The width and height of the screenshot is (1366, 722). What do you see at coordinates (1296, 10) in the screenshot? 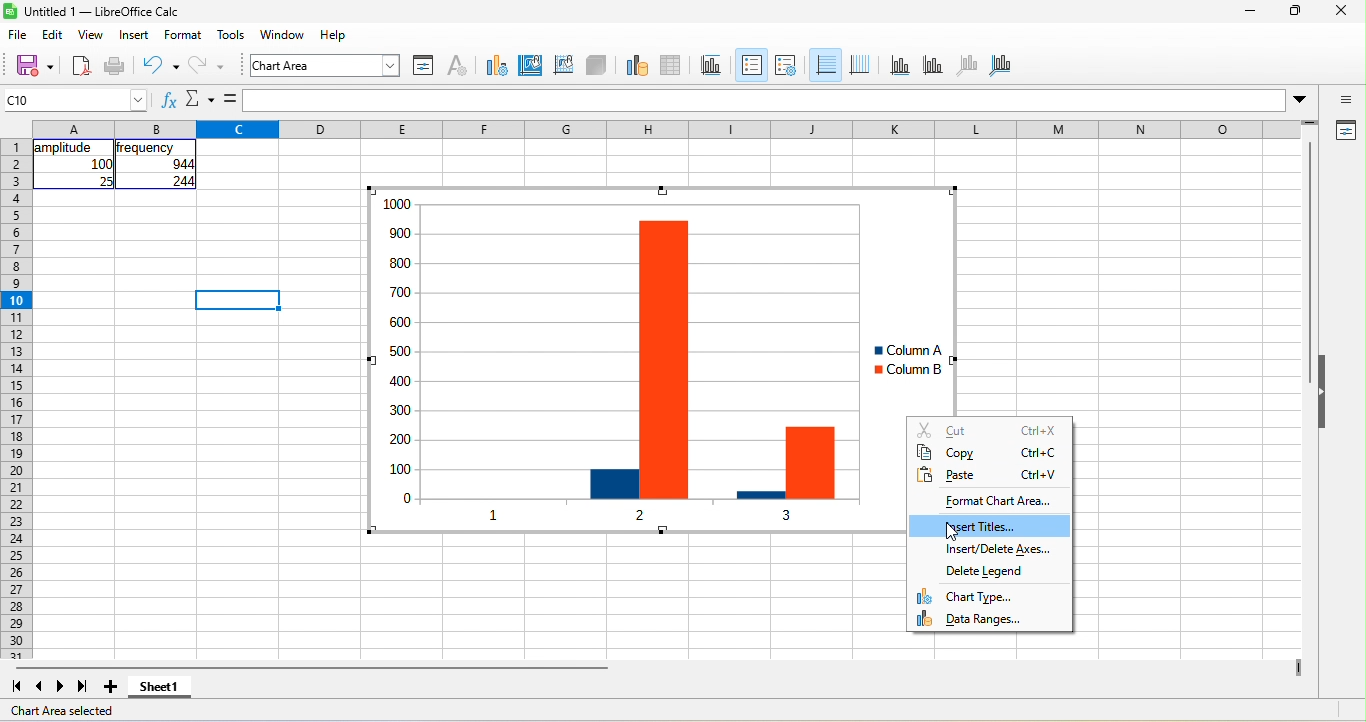
I see `maximize` at bounding box center [1296, 10].